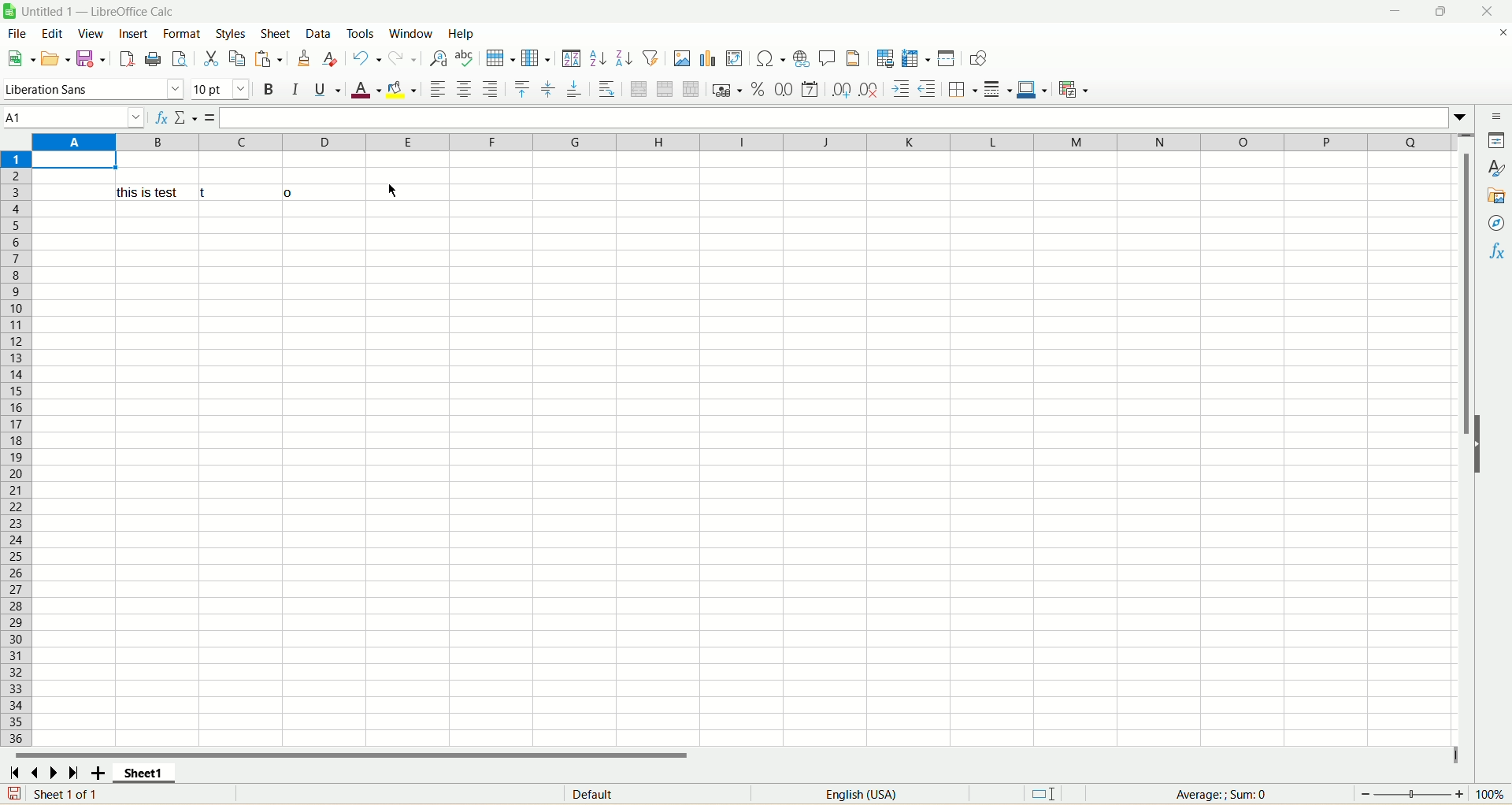 The width and height of the screenshot is (1512, 805). Describe the element at coordinates (325, 90) in the screenshot. I see `underline` at that location.